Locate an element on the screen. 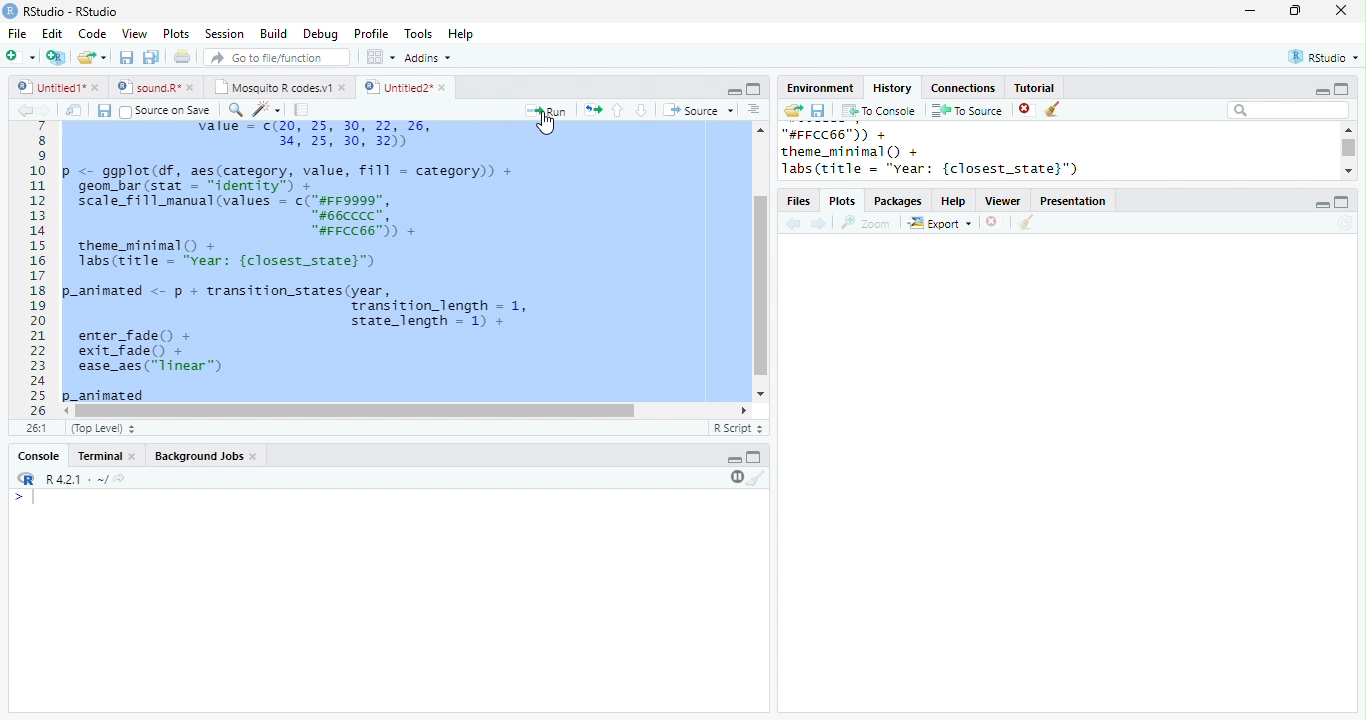 The width and height of the screenshot is (1366, 720). clear is located at coordinates (1052, 109).